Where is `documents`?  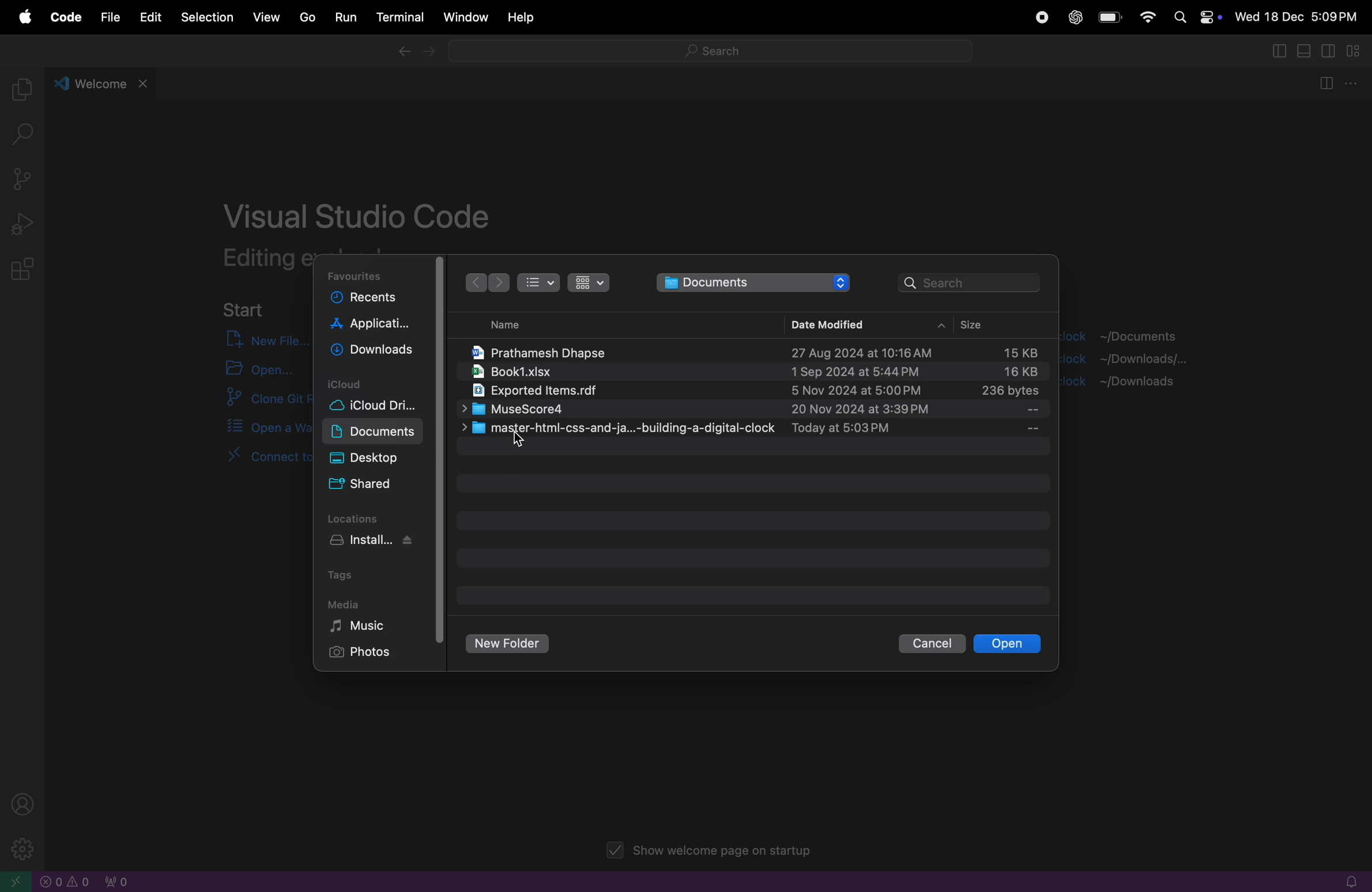 documents is located at coordinates (374, 432).